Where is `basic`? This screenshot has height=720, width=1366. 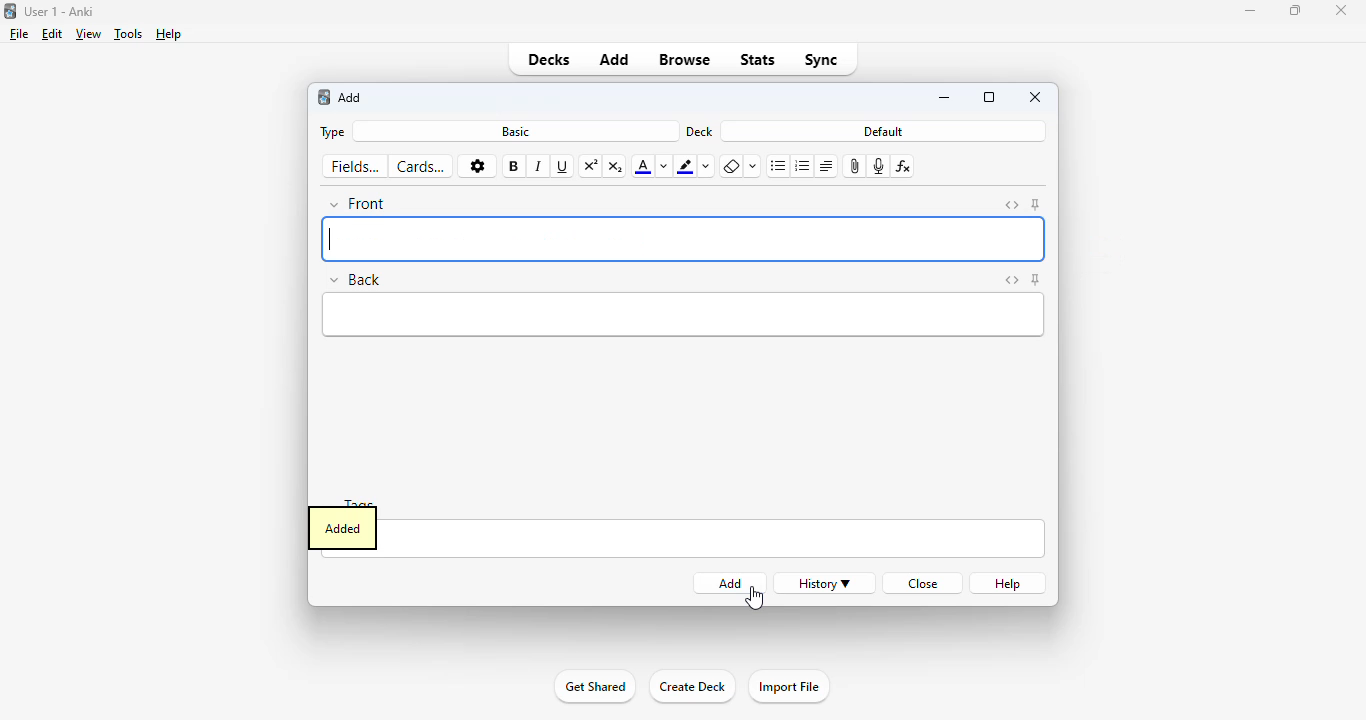 basic is located at coordinates (517, 132).